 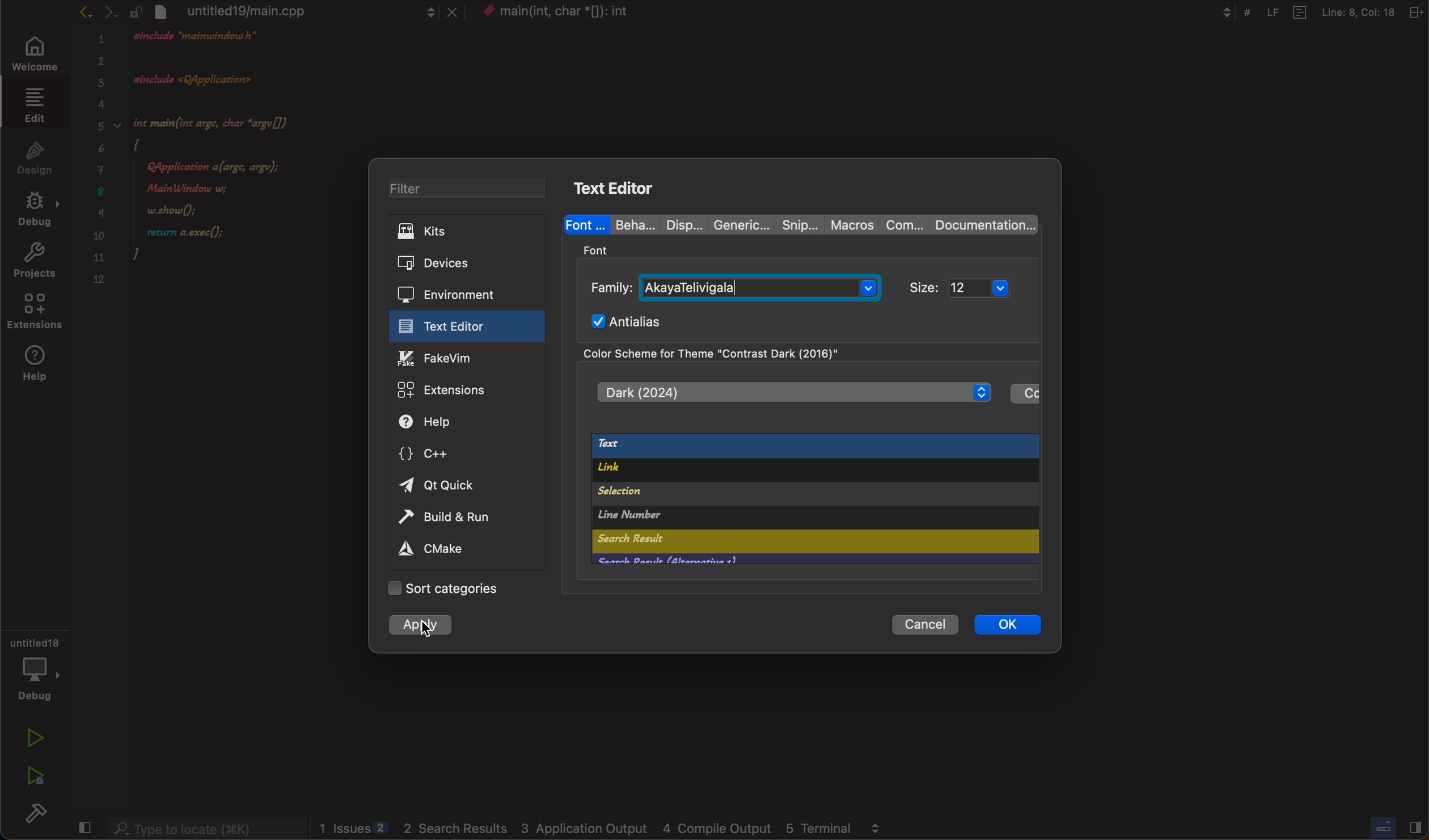 I want to click on Categories, so click(x=454, y=589).